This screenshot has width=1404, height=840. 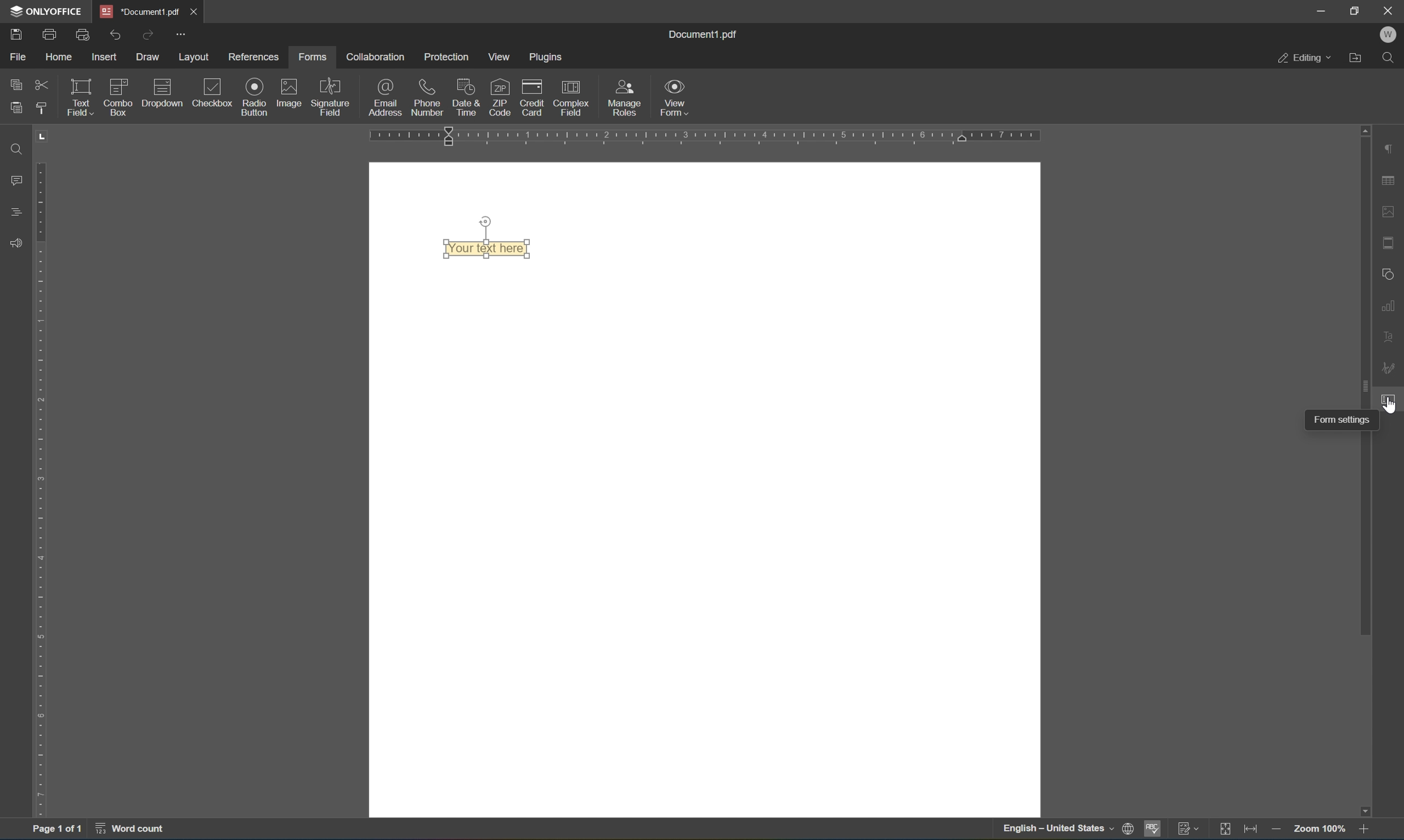 I want to click on view form, so click(x=673, y=96).